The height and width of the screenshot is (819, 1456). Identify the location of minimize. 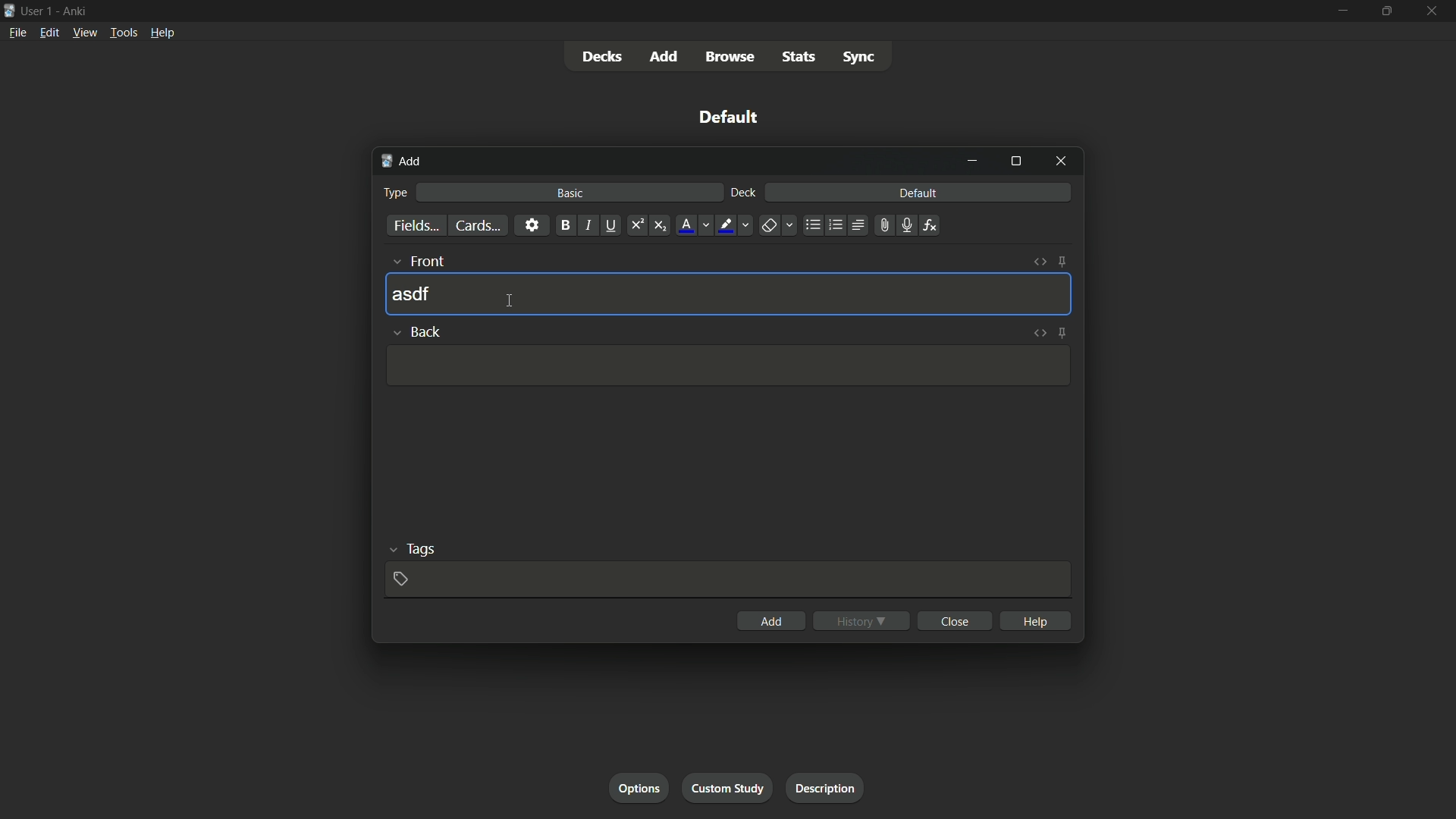
(1344, 10).